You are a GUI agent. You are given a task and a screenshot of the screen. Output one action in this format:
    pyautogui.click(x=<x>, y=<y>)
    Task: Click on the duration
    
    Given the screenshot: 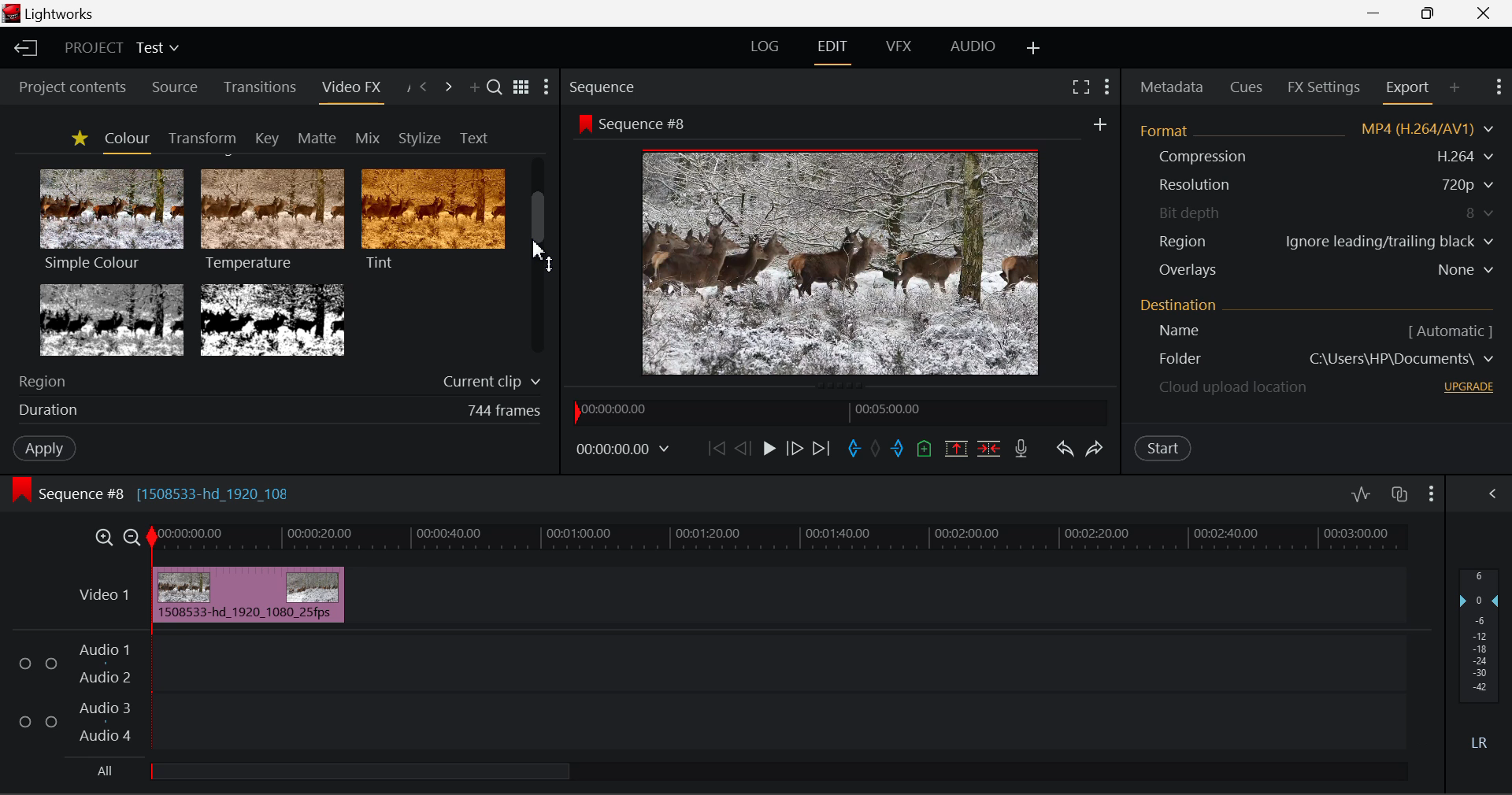 What is the action you would take?
    pyautogui.click(x=44, y=411)
    